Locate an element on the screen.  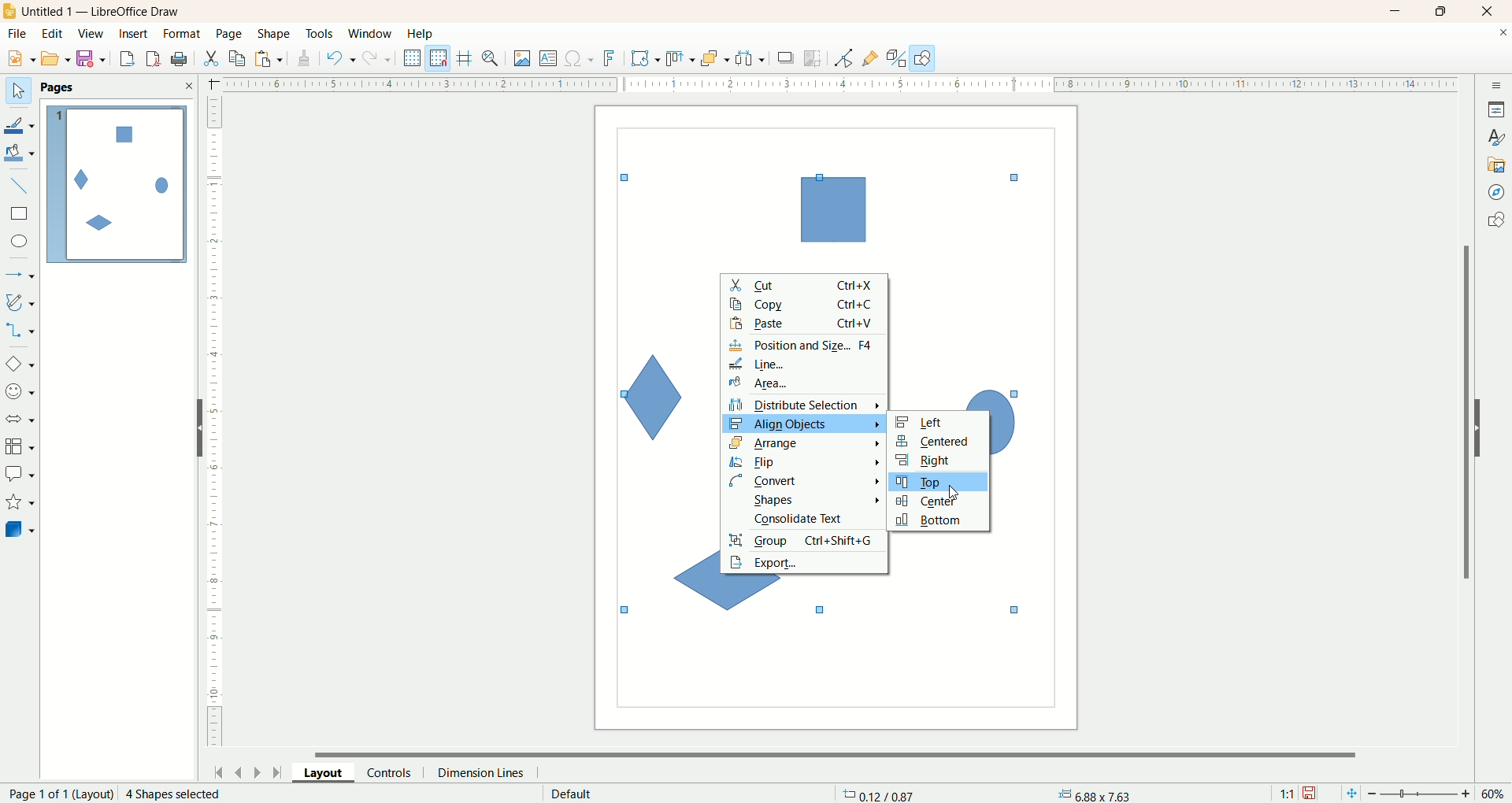
view is located at coordinates (92, 34).